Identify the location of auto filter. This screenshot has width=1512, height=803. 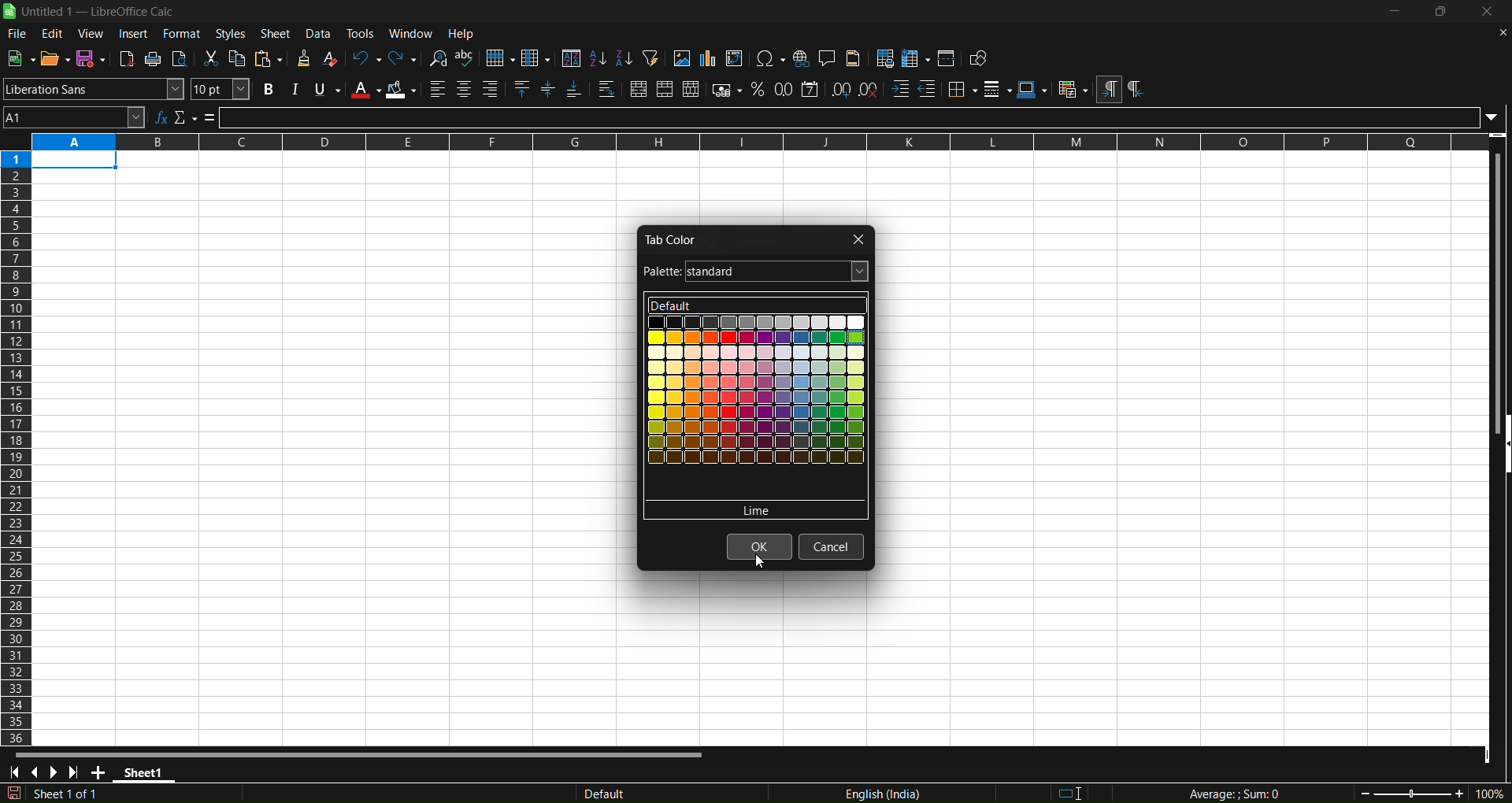
(650, 57).